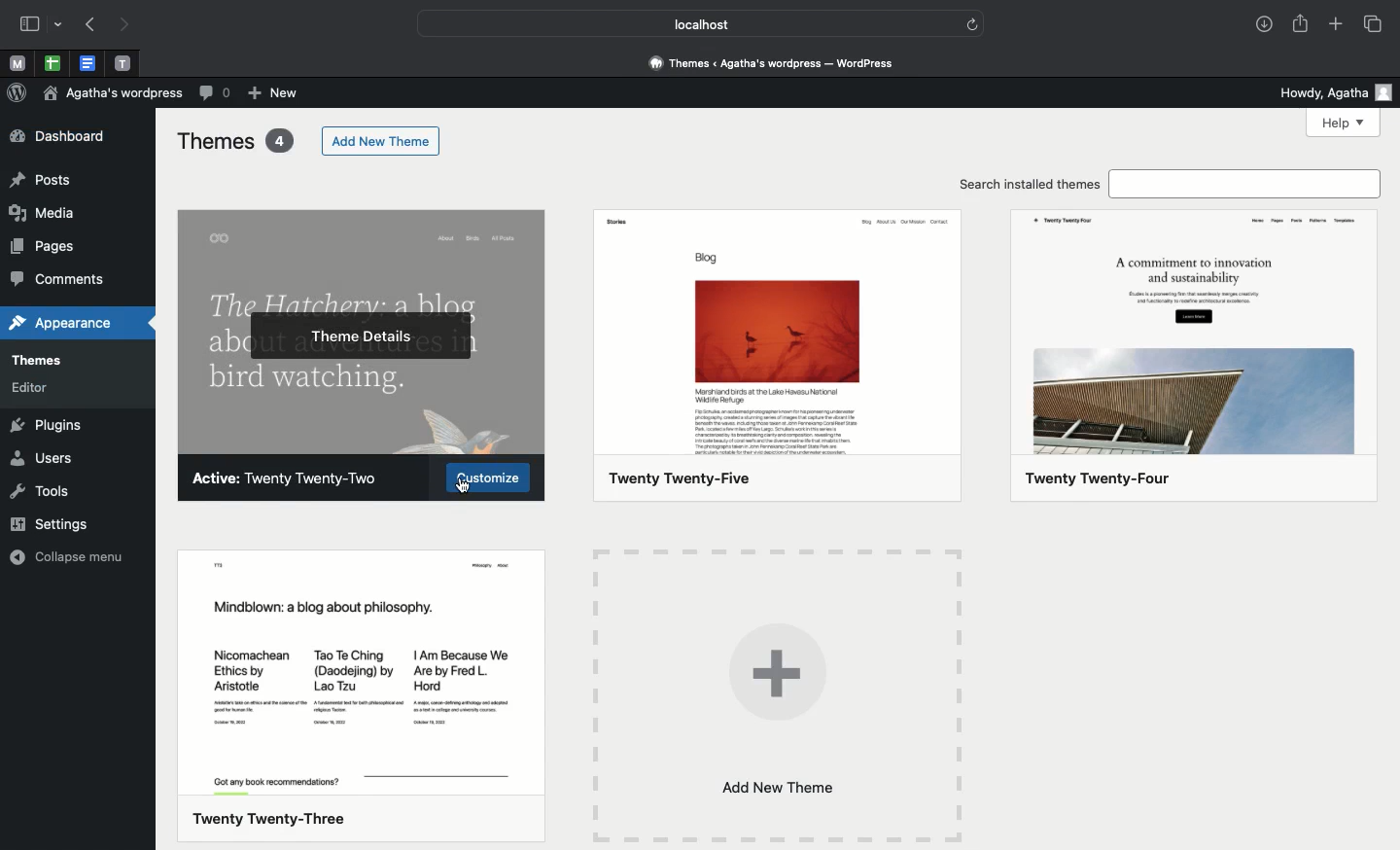  Describe the element at coordinates (487, 478) in the screenshot. I see `Customize` at that location.